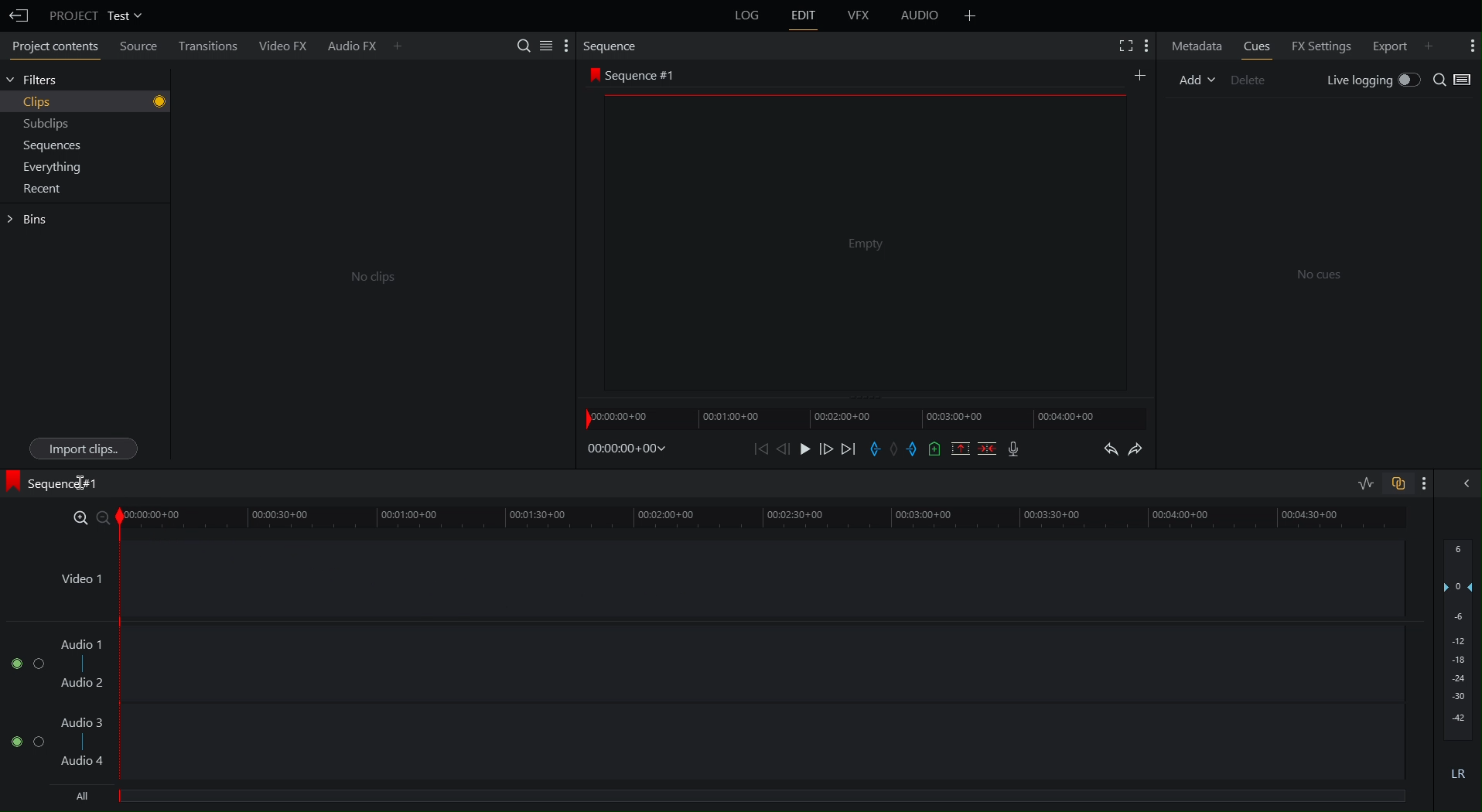  What do you see at coordinates (1430, 483) in the screenshot?
I see `More` at bounding box center [1430, 483].